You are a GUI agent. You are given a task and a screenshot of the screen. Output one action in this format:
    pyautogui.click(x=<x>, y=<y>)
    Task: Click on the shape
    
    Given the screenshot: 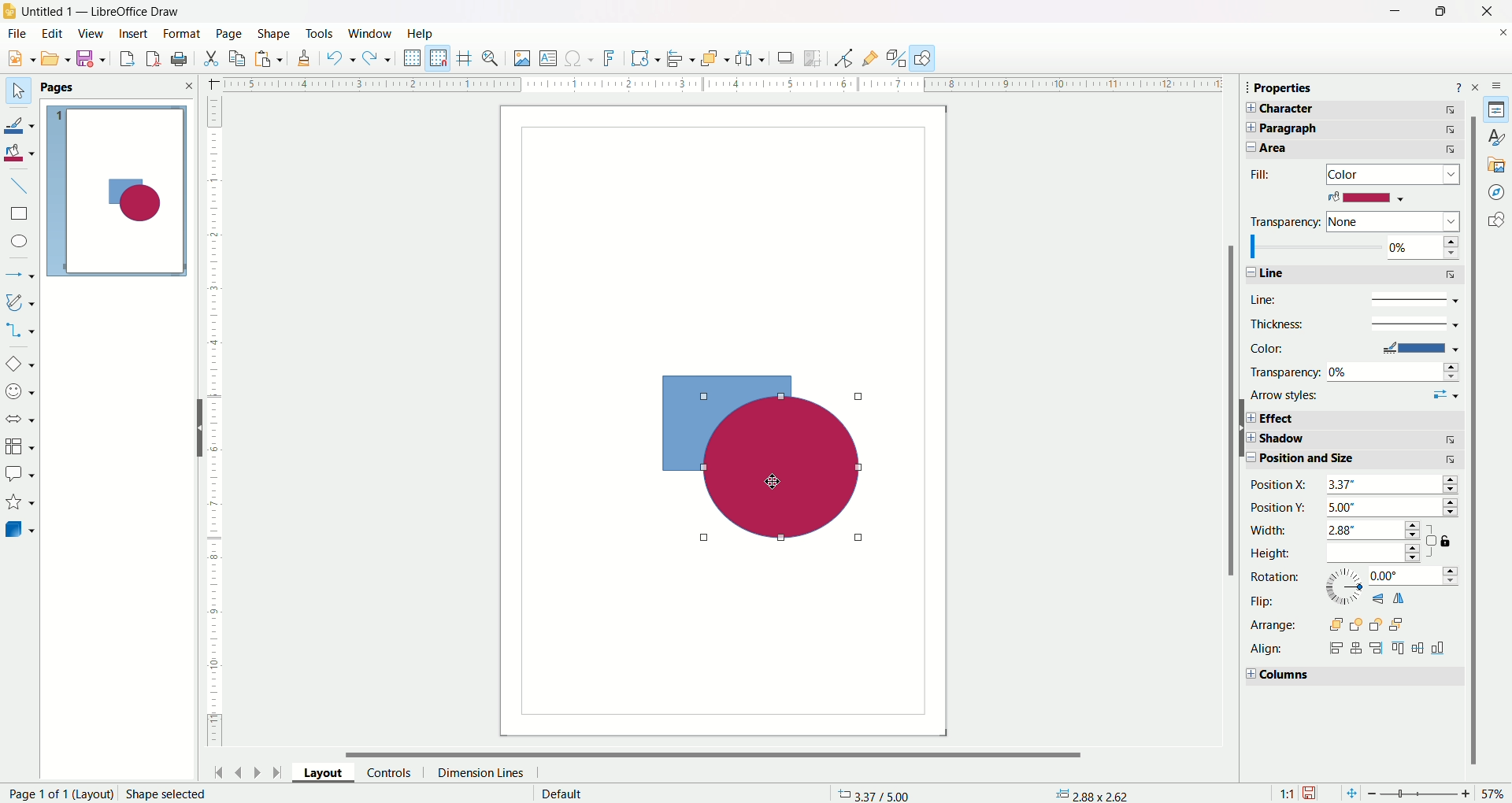 What is the action you would take?
    pyautogui.click(x=271, y=31)
    